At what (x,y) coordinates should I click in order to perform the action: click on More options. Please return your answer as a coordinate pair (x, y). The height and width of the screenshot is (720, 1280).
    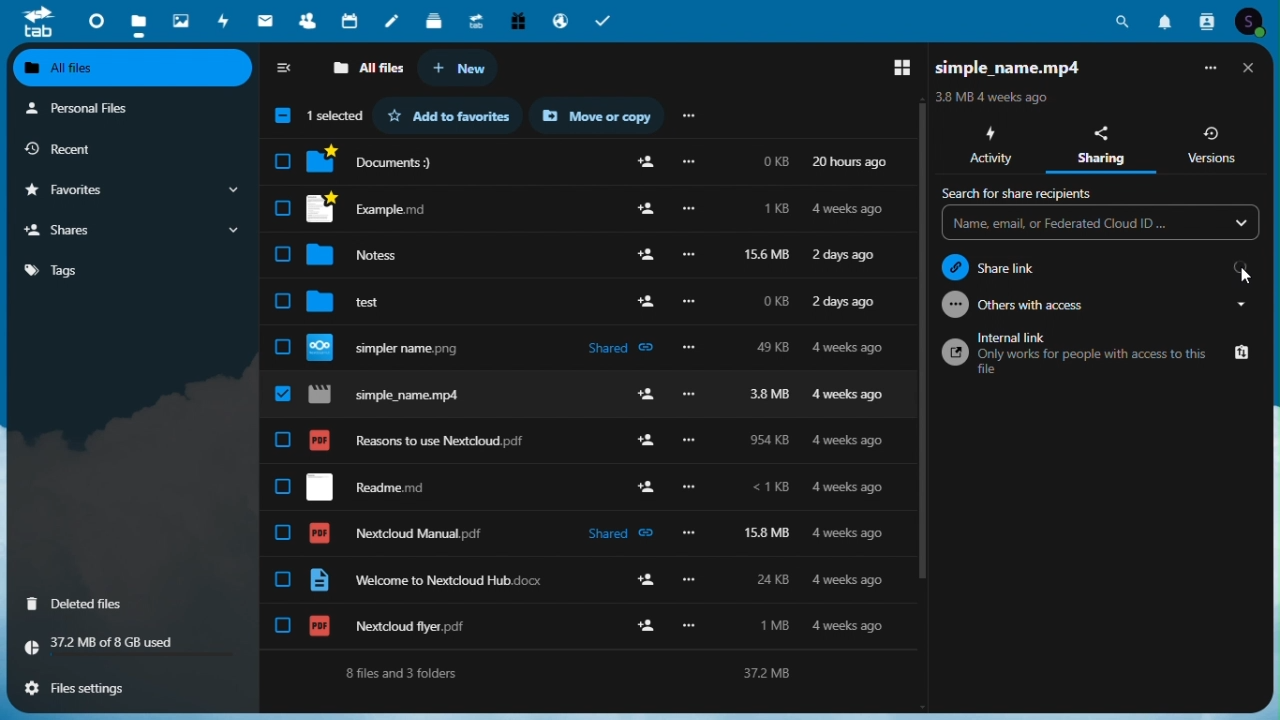
    Looking at the image, I should click on (1208, 68).